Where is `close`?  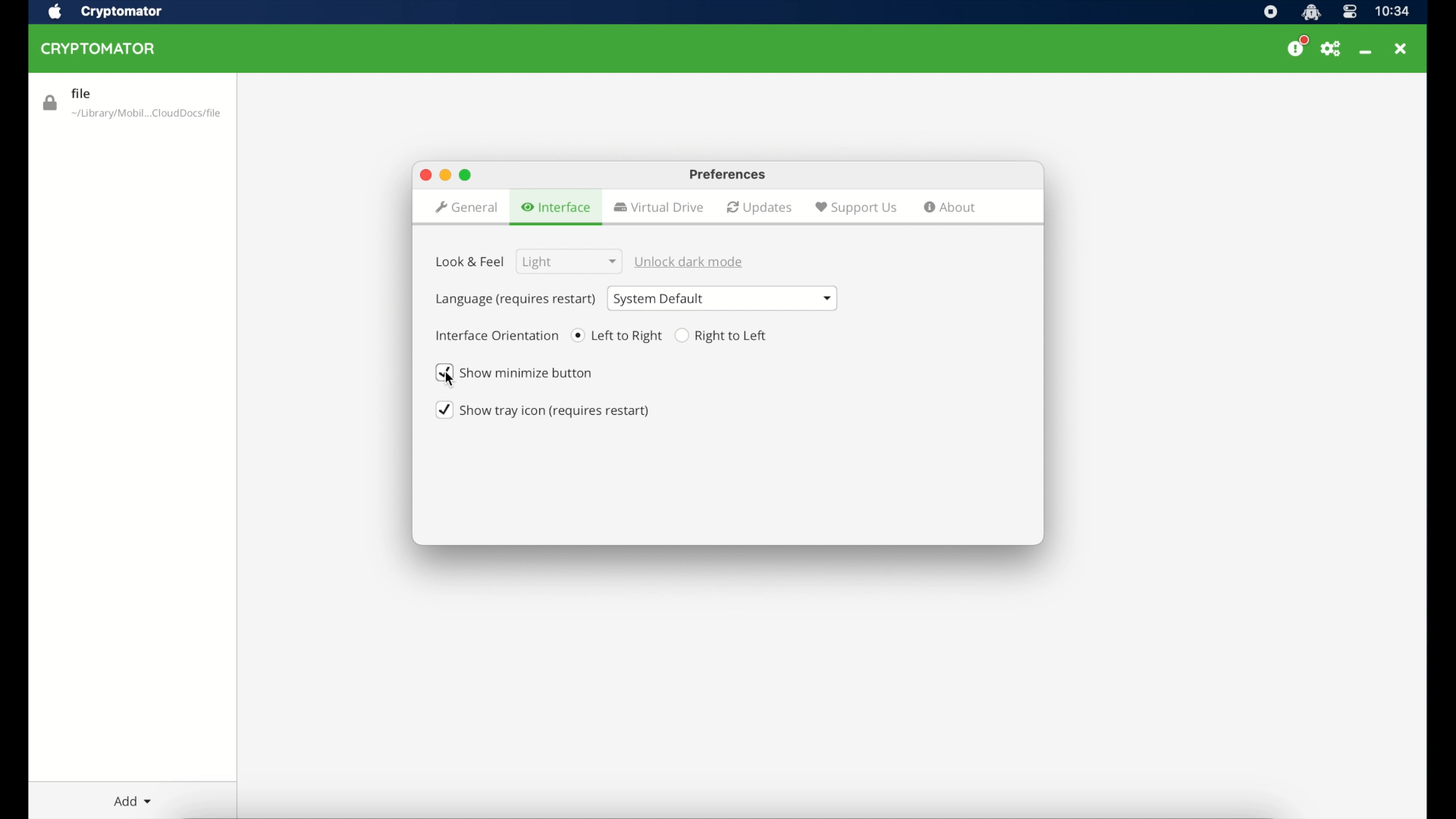 close is located at coordinates (1402, 48).